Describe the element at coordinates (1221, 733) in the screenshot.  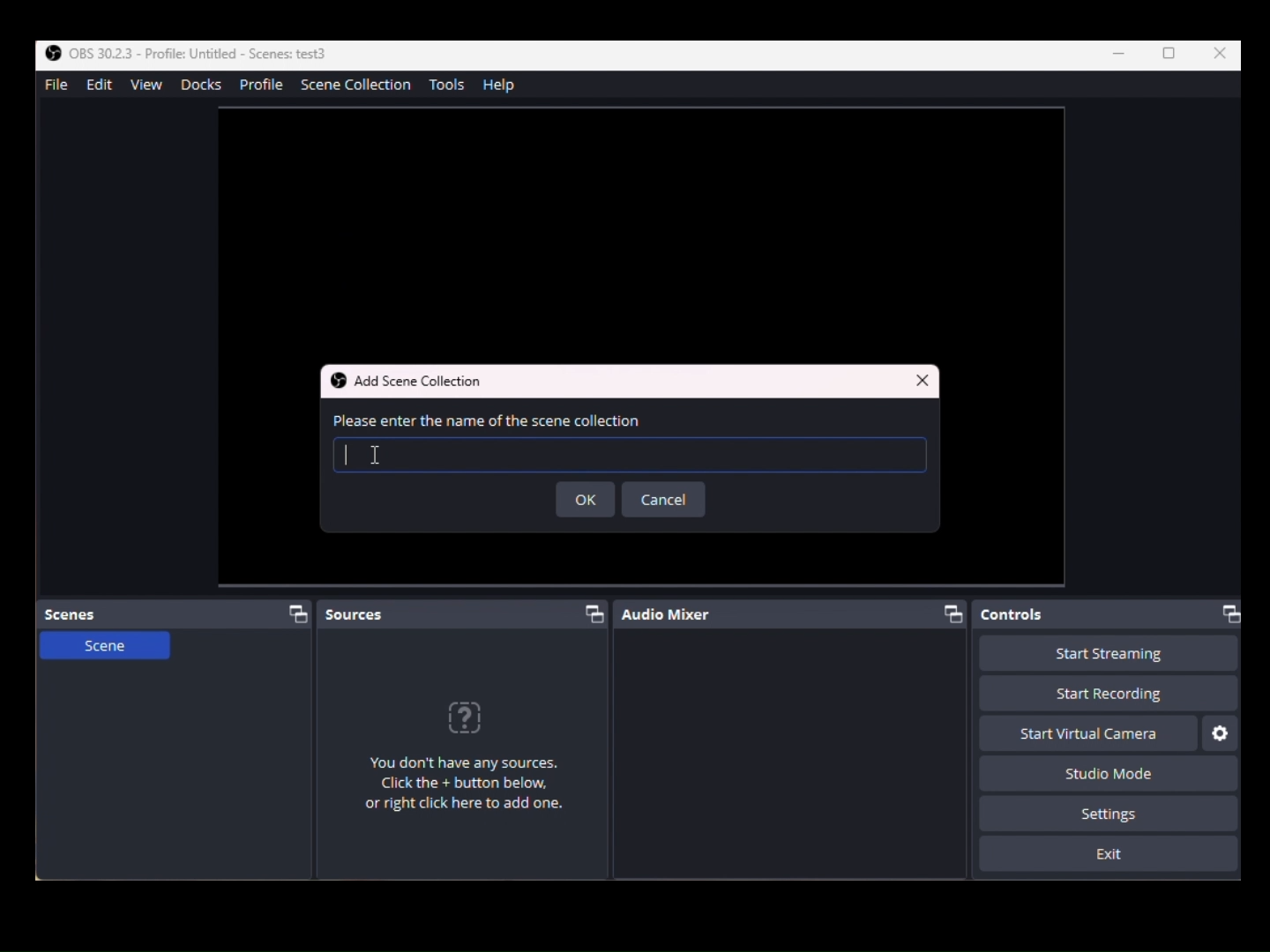
I see `Settings` at that location.